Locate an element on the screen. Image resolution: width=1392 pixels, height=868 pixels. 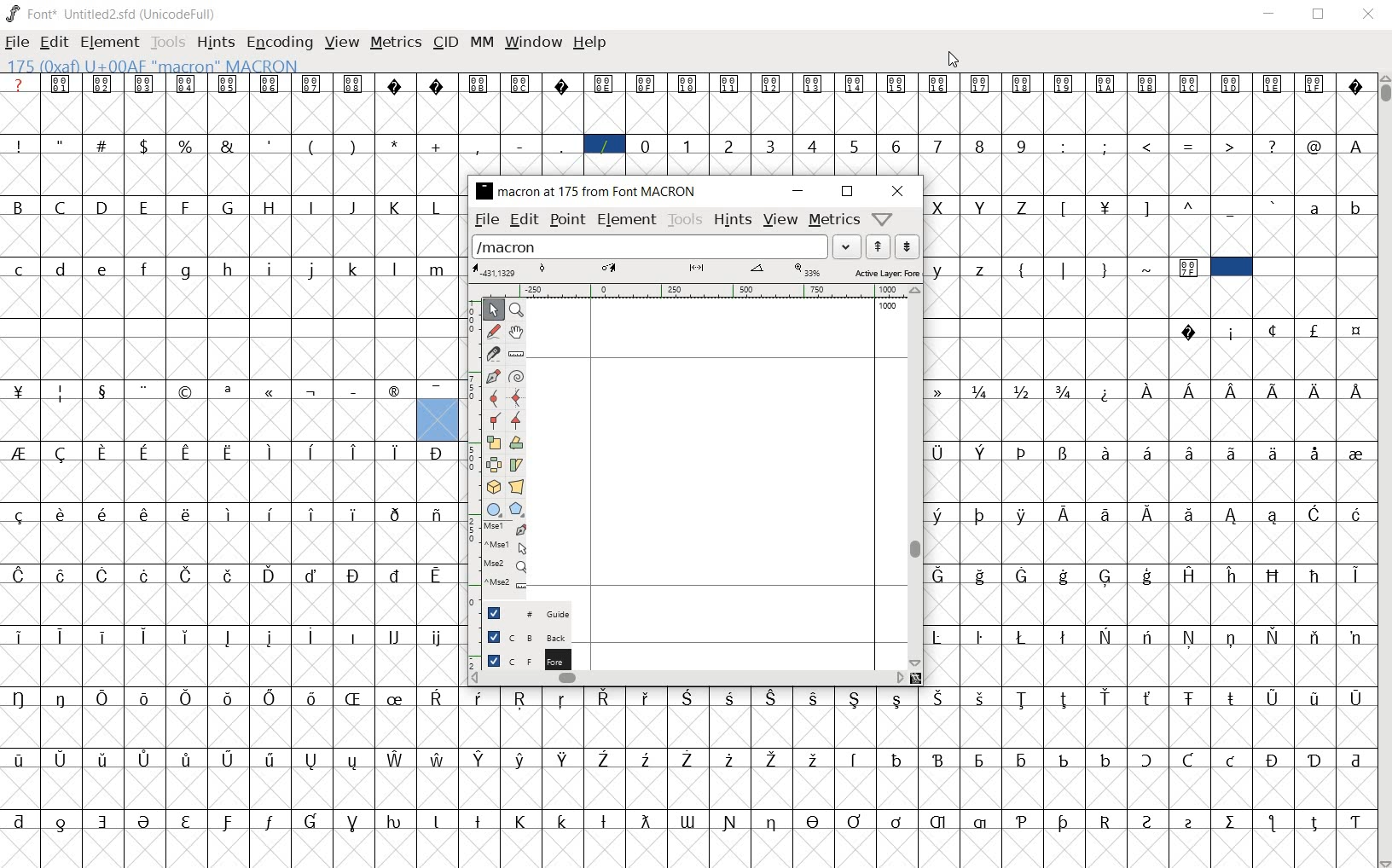
Symbol is located at coordinates (20, 574).